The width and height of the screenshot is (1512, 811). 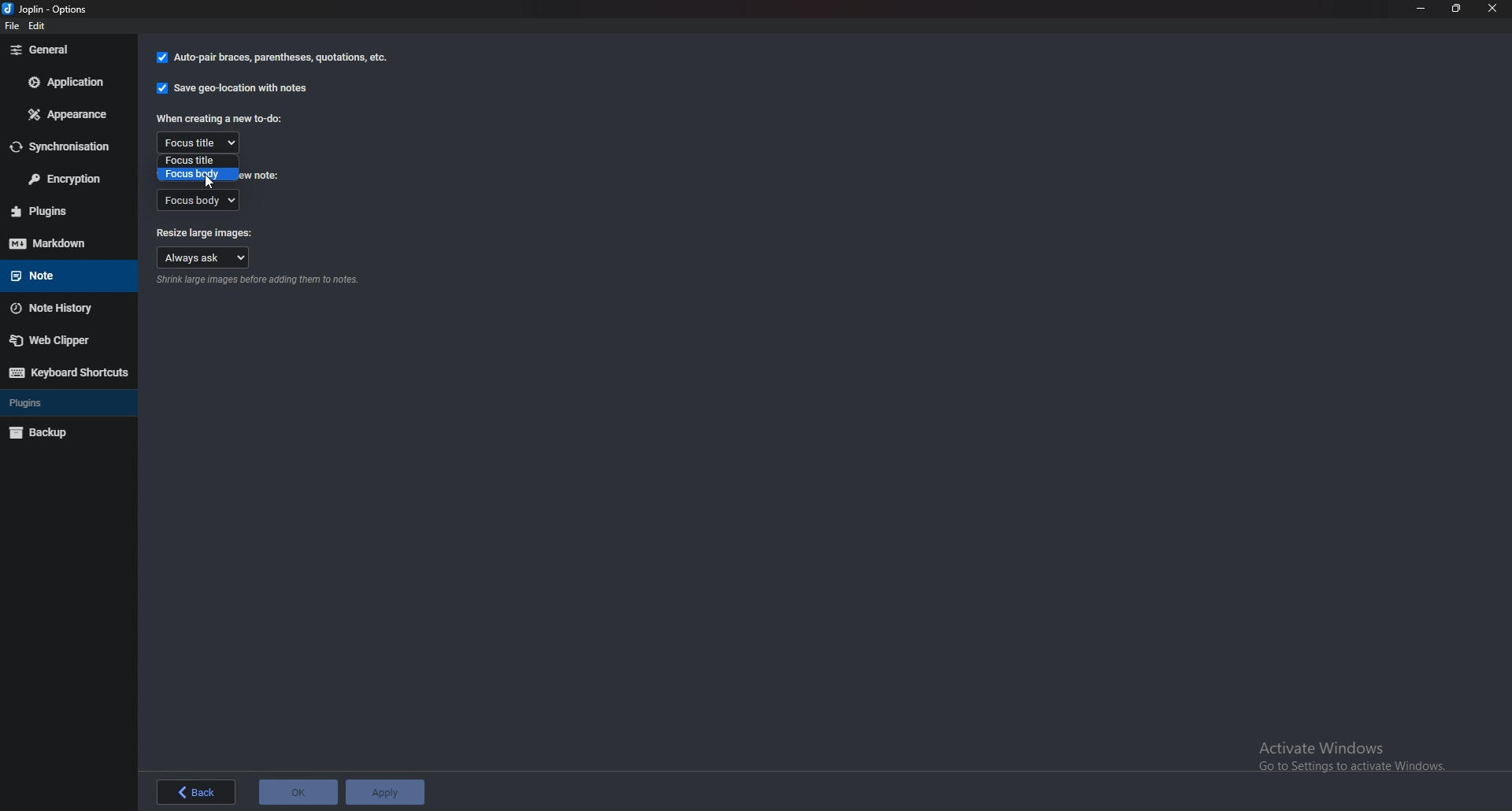 I want to click on ok, so click(x=298, y=792).